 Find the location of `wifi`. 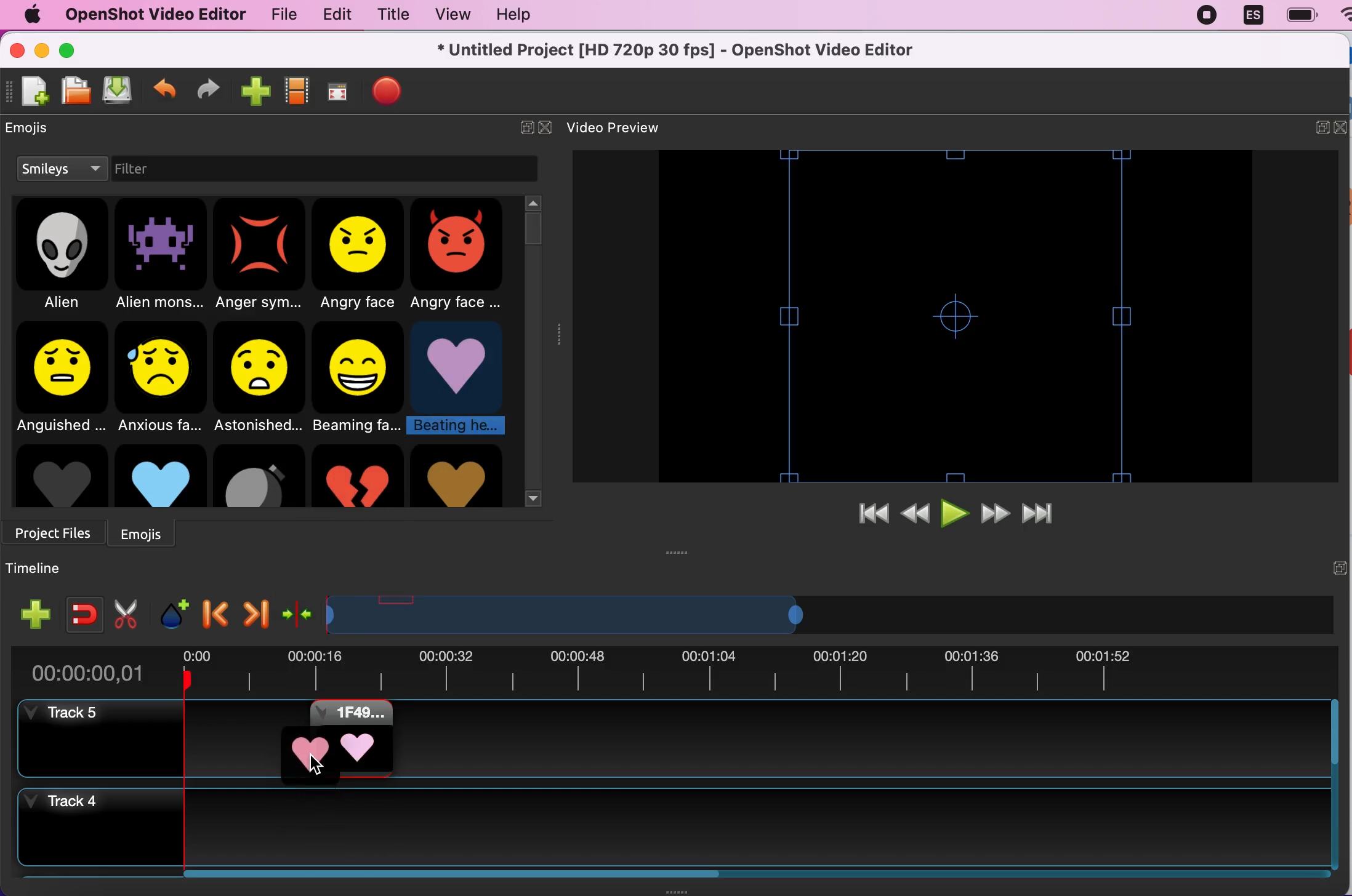

wifi is located at coordinates (1343, 20).